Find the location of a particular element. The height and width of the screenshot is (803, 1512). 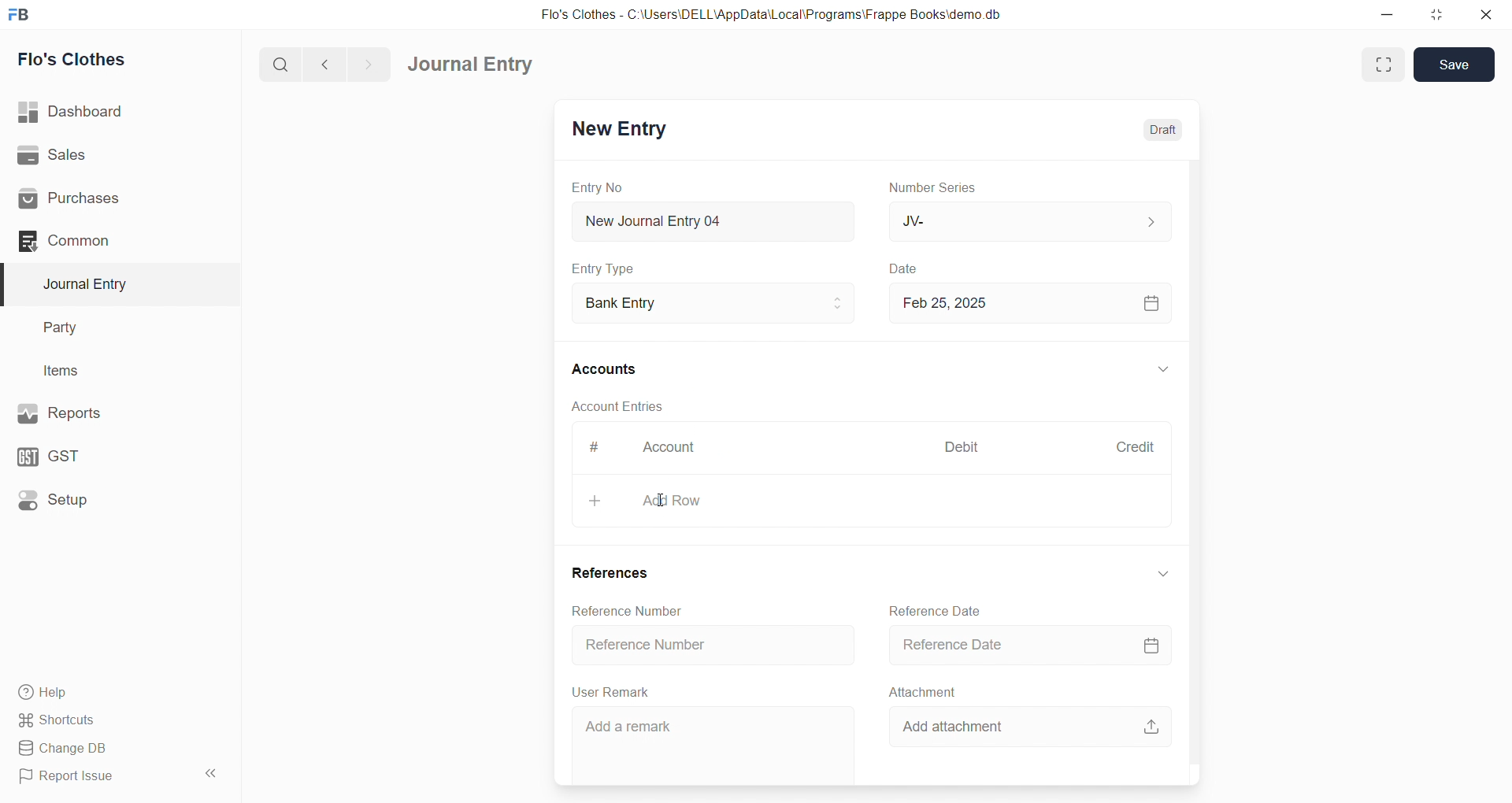

Dashboard is located at coordinates (116, 112).